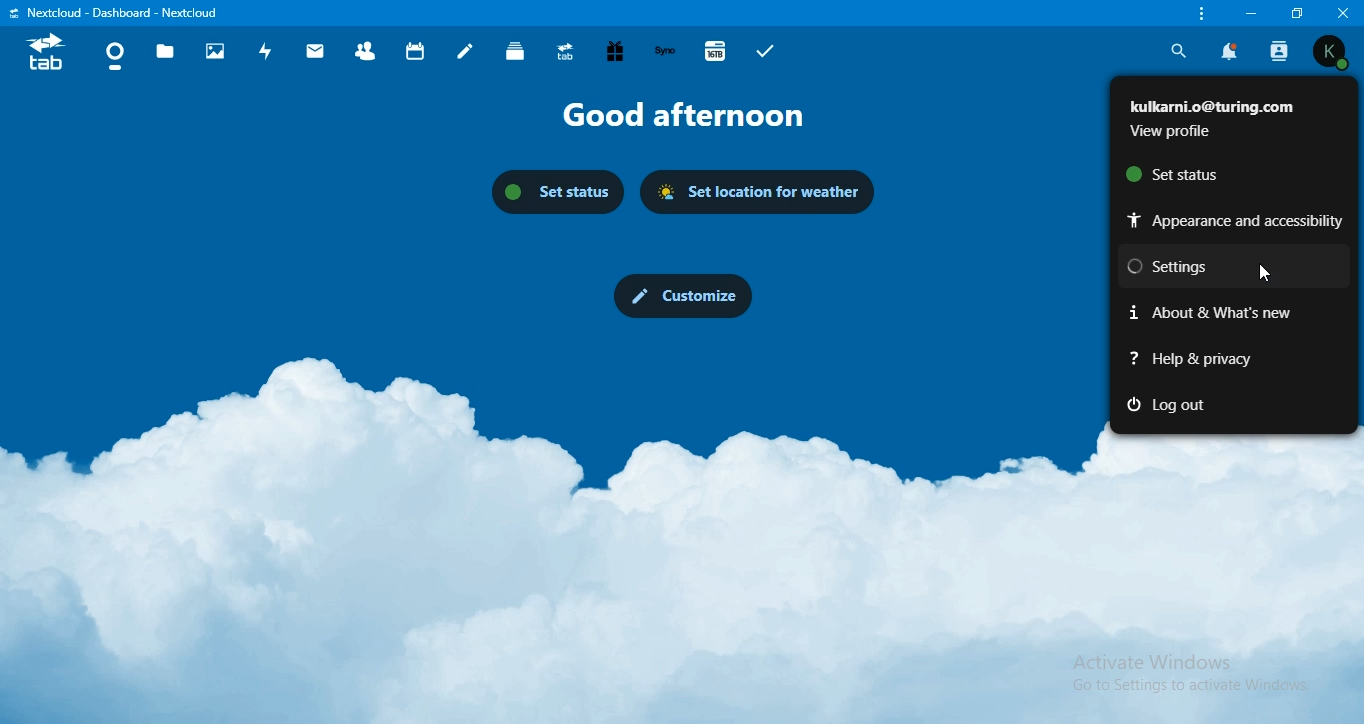 The image size is (1364, 724). I want to click on Cursor, so click(1264, 273).